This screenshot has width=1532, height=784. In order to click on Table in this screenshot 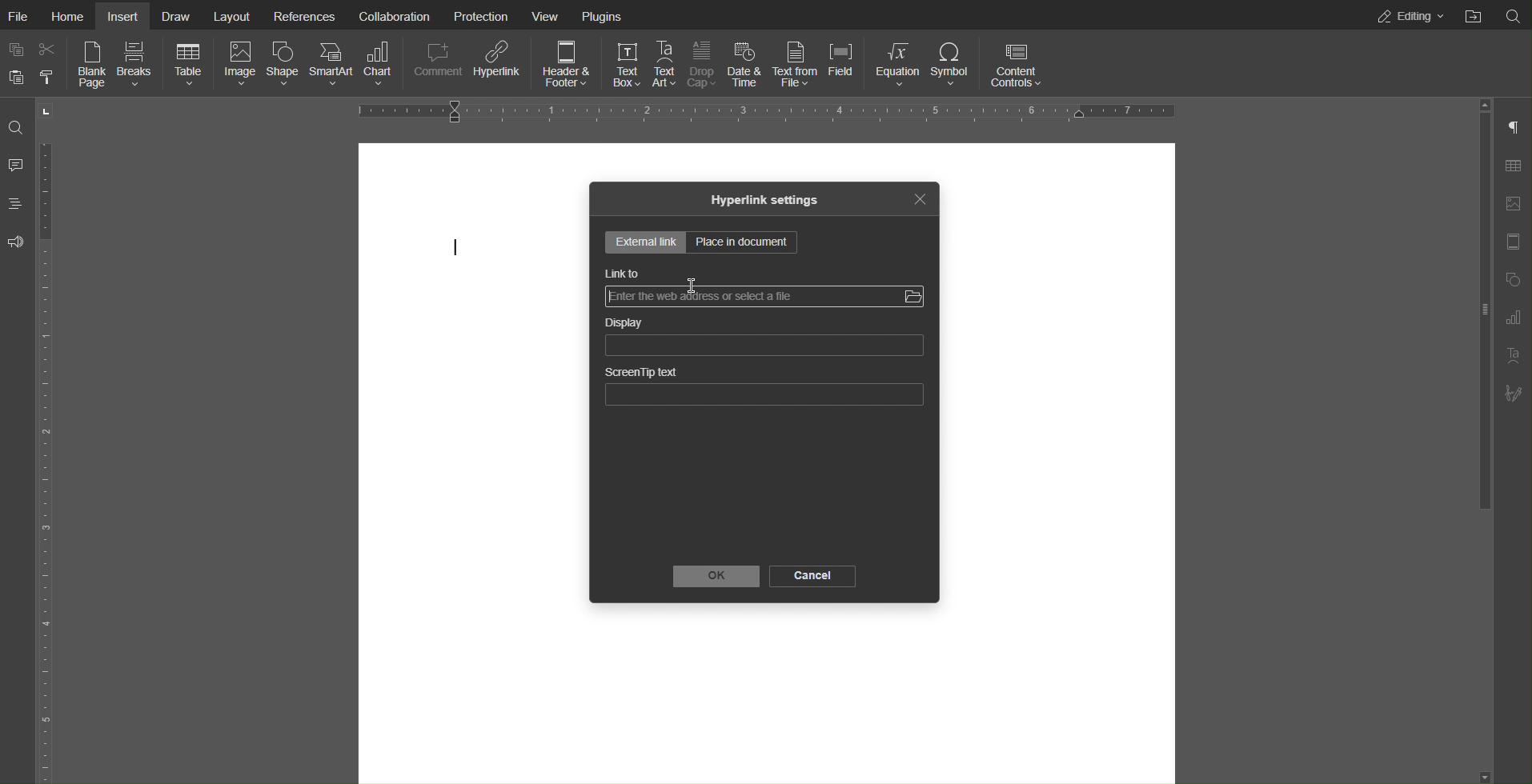, I will do `click(190, 65)`.